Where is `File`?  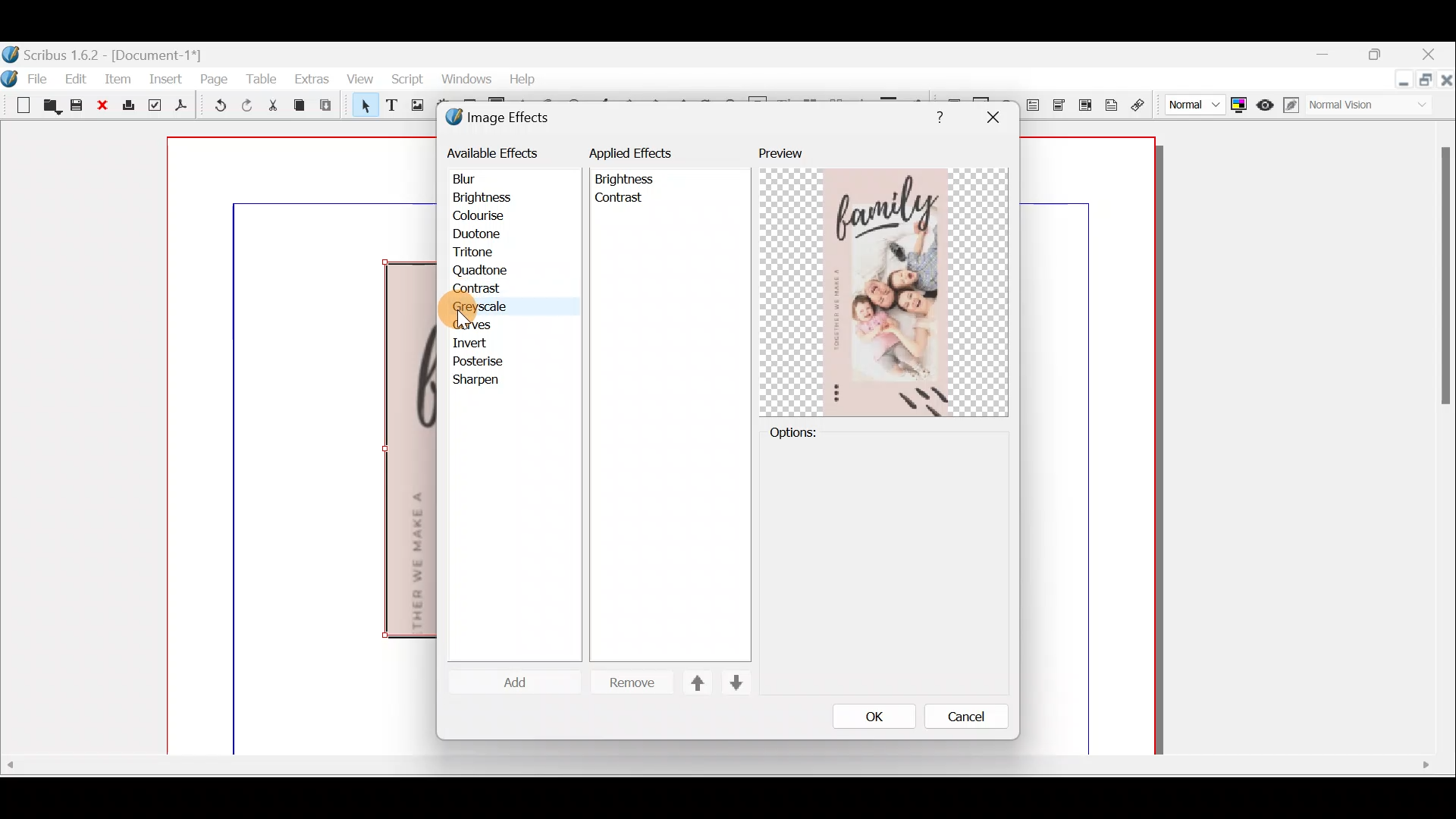
File is located at coordinates (40, 80).